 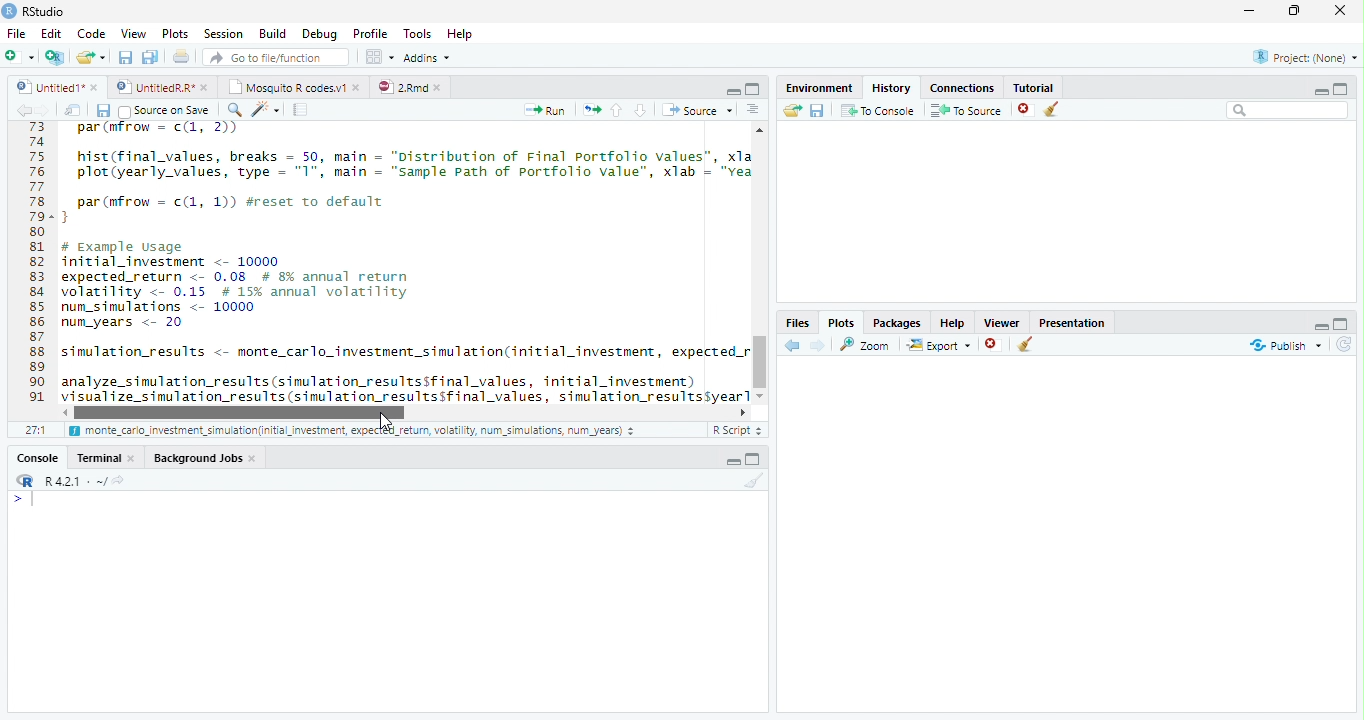 What do you see at coordinates (428, 57) in the screenshot?
I see `Addins` at bounding box center [428, 57].